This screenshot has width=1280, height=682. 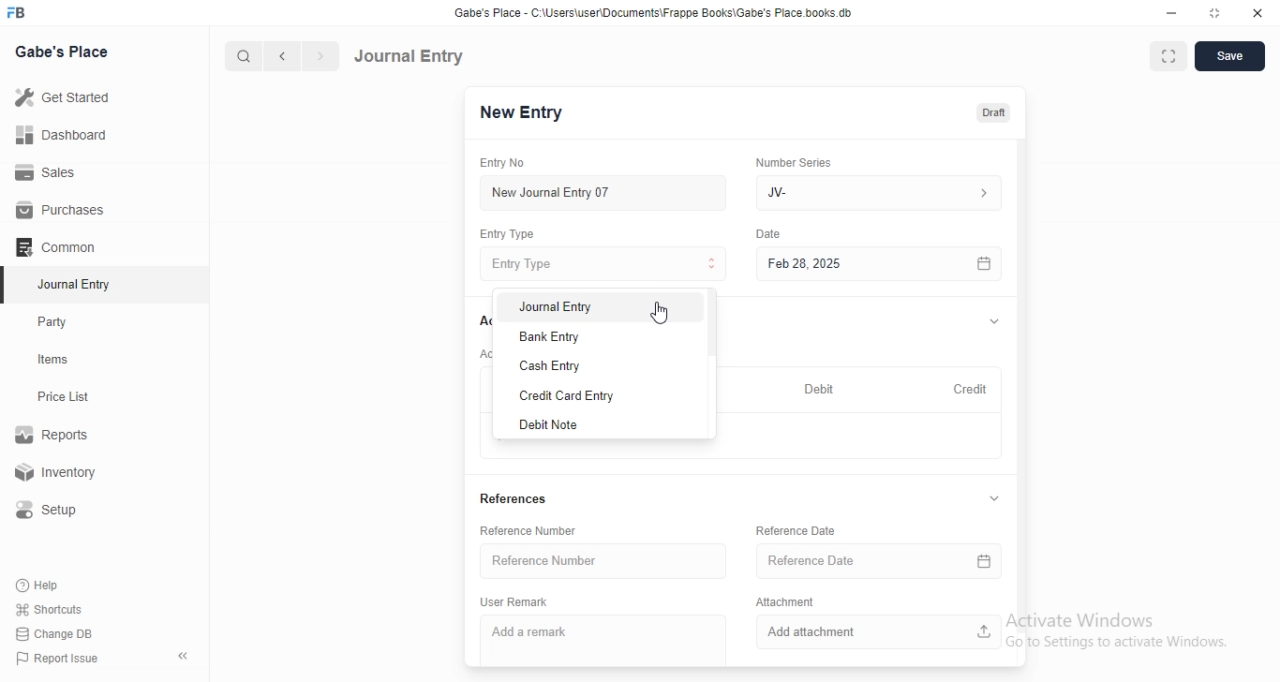 I want to click on Comman, so click(x=49, y=247).